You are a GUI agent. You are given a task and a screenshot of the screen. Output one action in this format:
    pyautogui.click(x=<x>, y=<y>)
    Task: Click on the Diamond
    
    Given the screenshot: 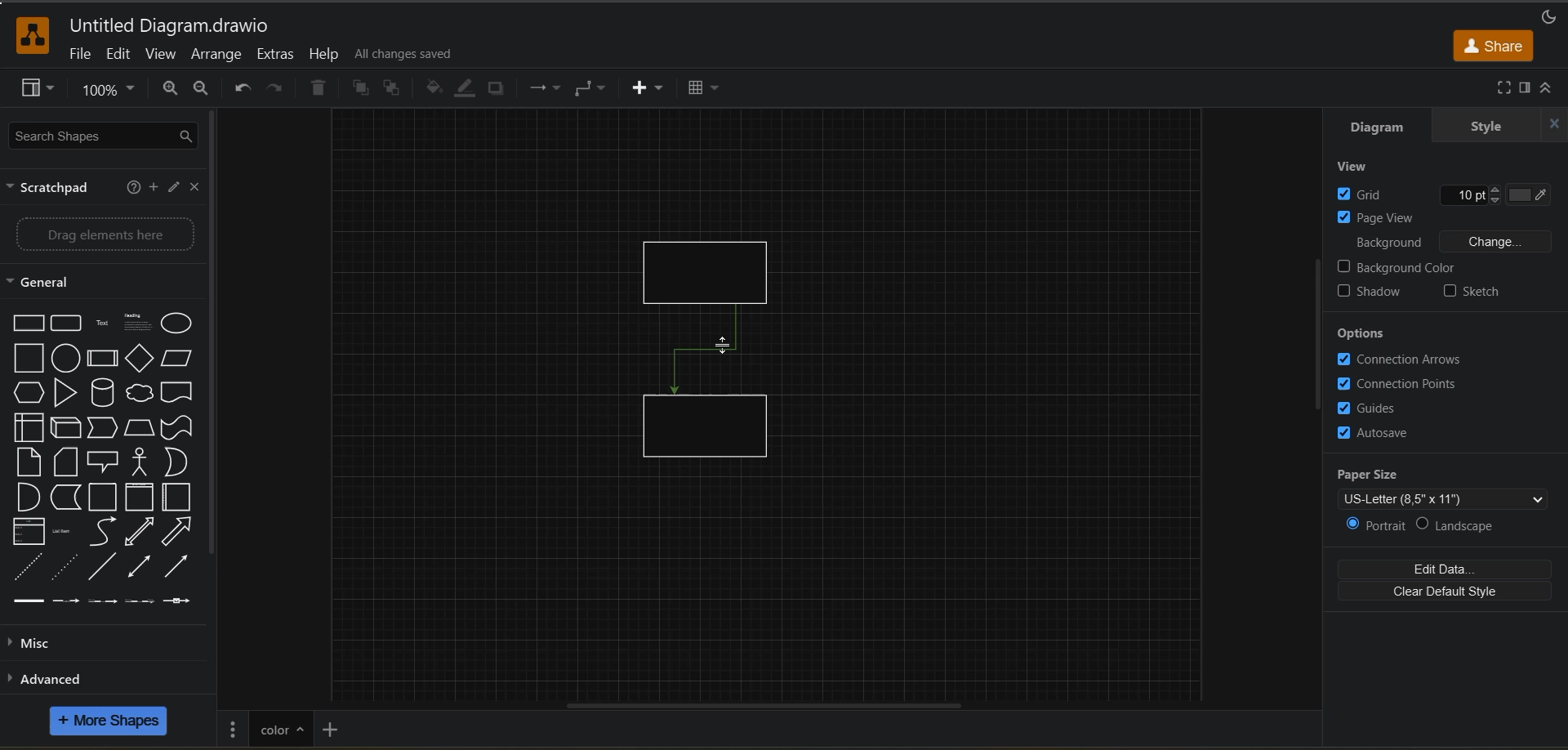 What is the action you would take?
    pyautogui.click(x=140, y=359)
    